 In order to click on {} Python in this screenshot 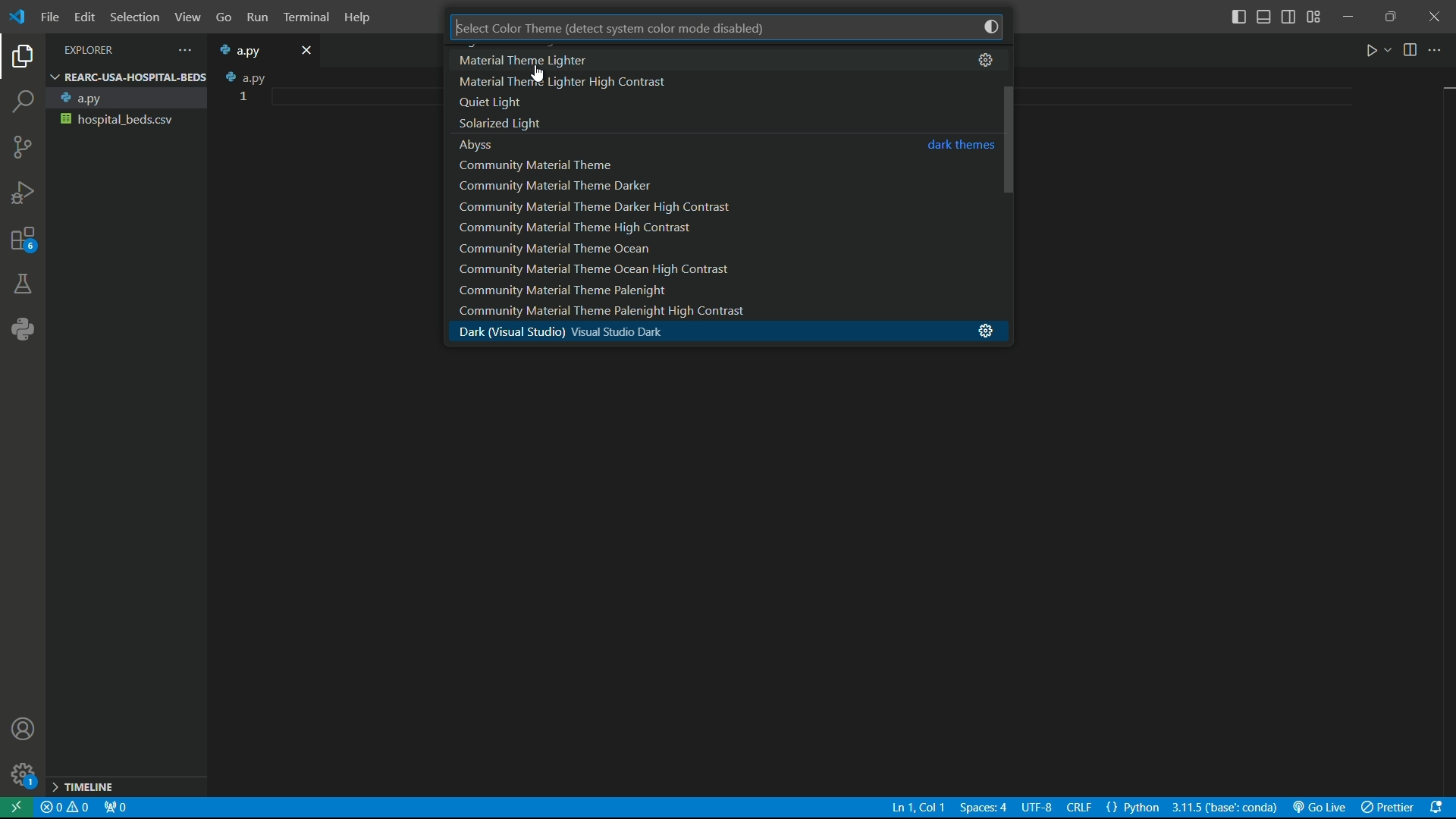, I will do `click(1134, 808)`.